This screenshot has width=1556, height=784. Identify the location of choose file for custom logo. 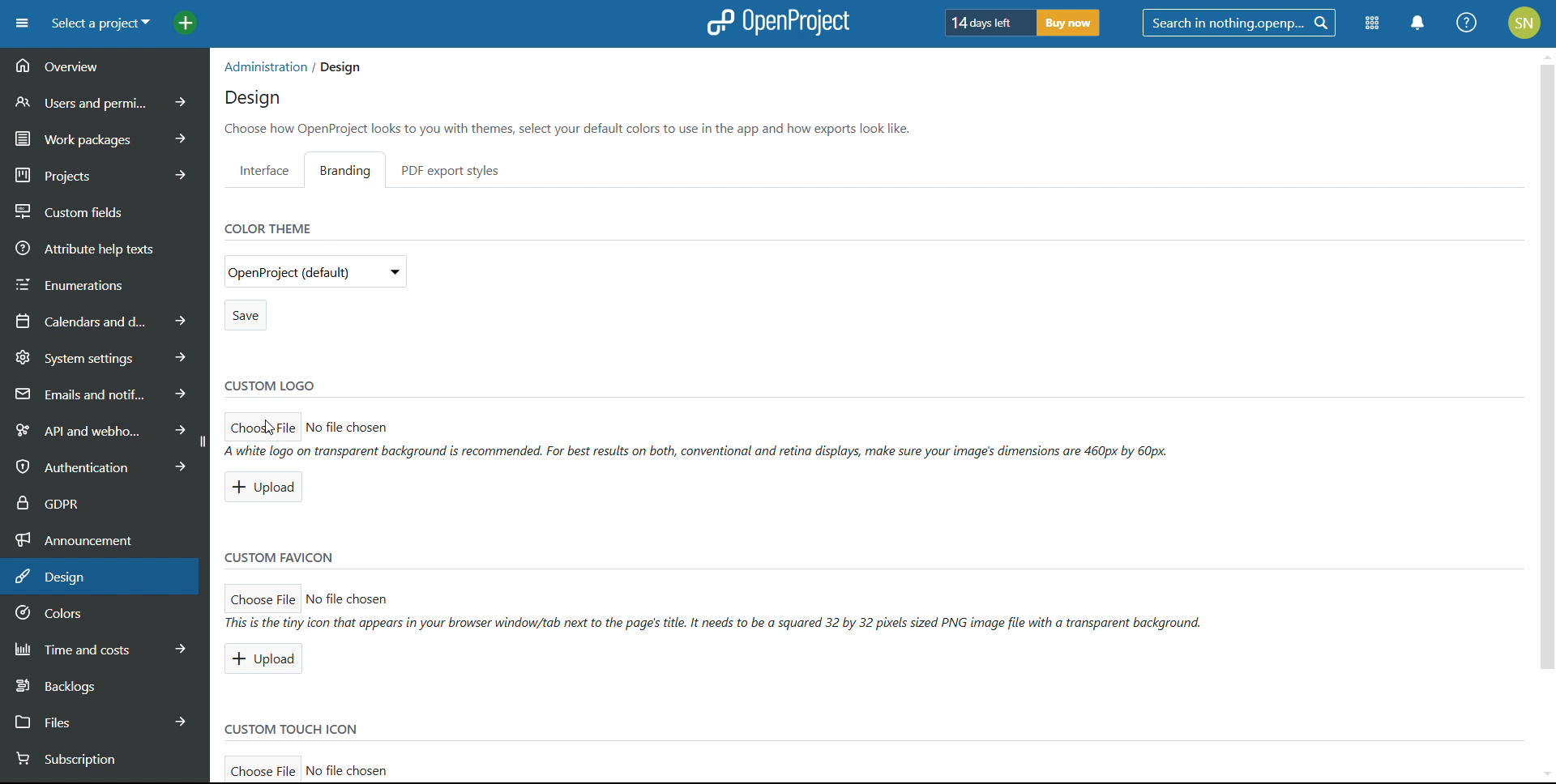
(263, 425).